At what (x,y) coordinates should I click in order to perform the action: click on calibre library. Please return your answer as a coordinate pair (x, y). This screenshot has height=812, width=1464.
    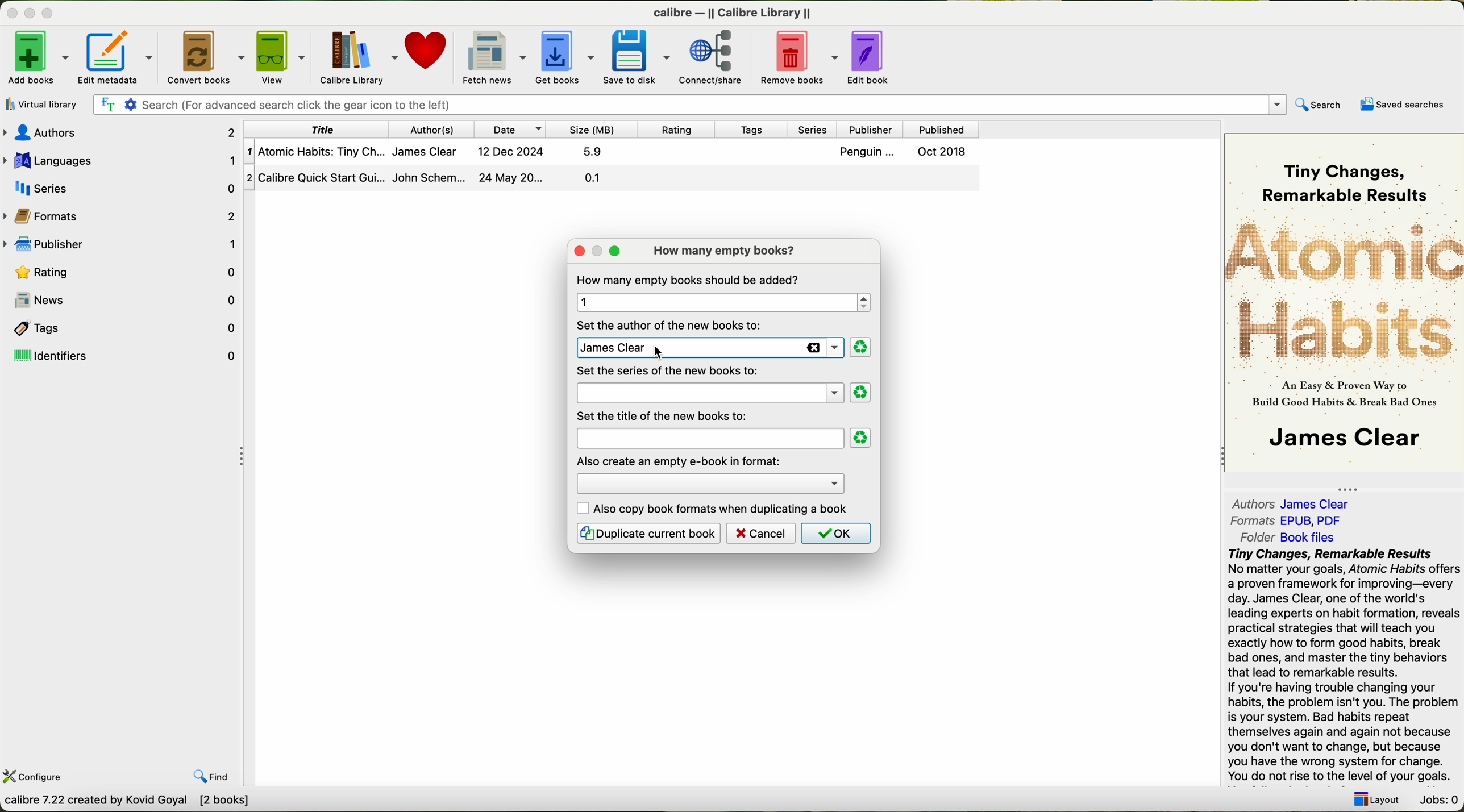
    Looking at the image, I should click on (355, 56).